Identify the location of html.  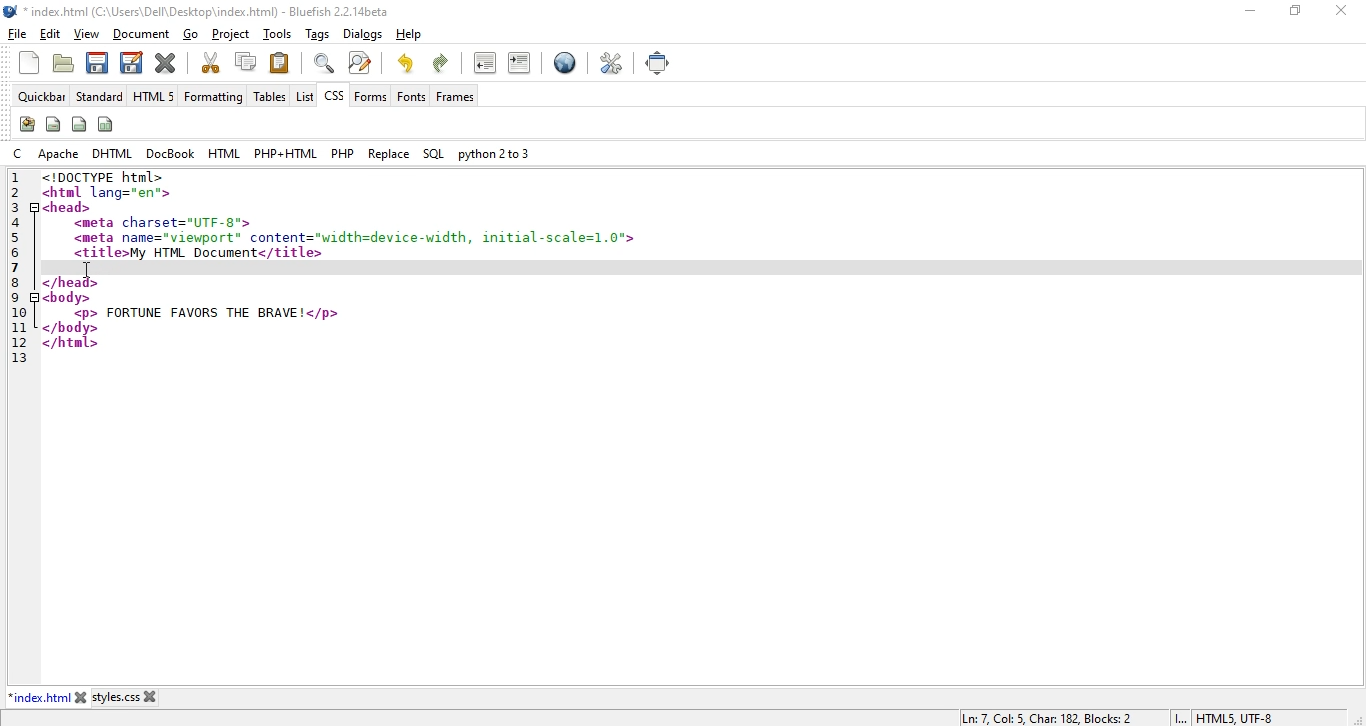
(225, 153).